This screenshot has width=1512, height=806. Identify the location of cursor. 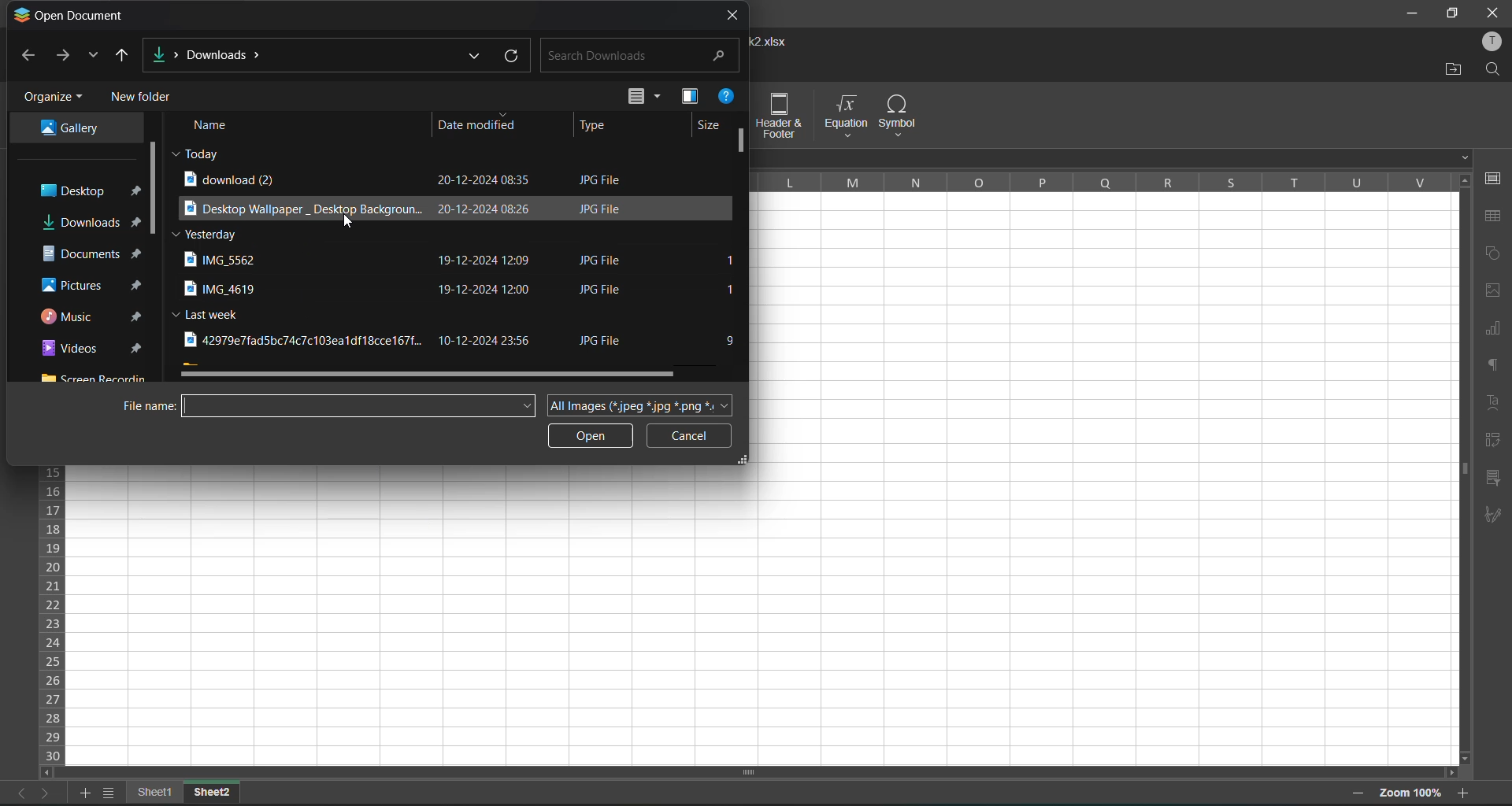
(349, 222).